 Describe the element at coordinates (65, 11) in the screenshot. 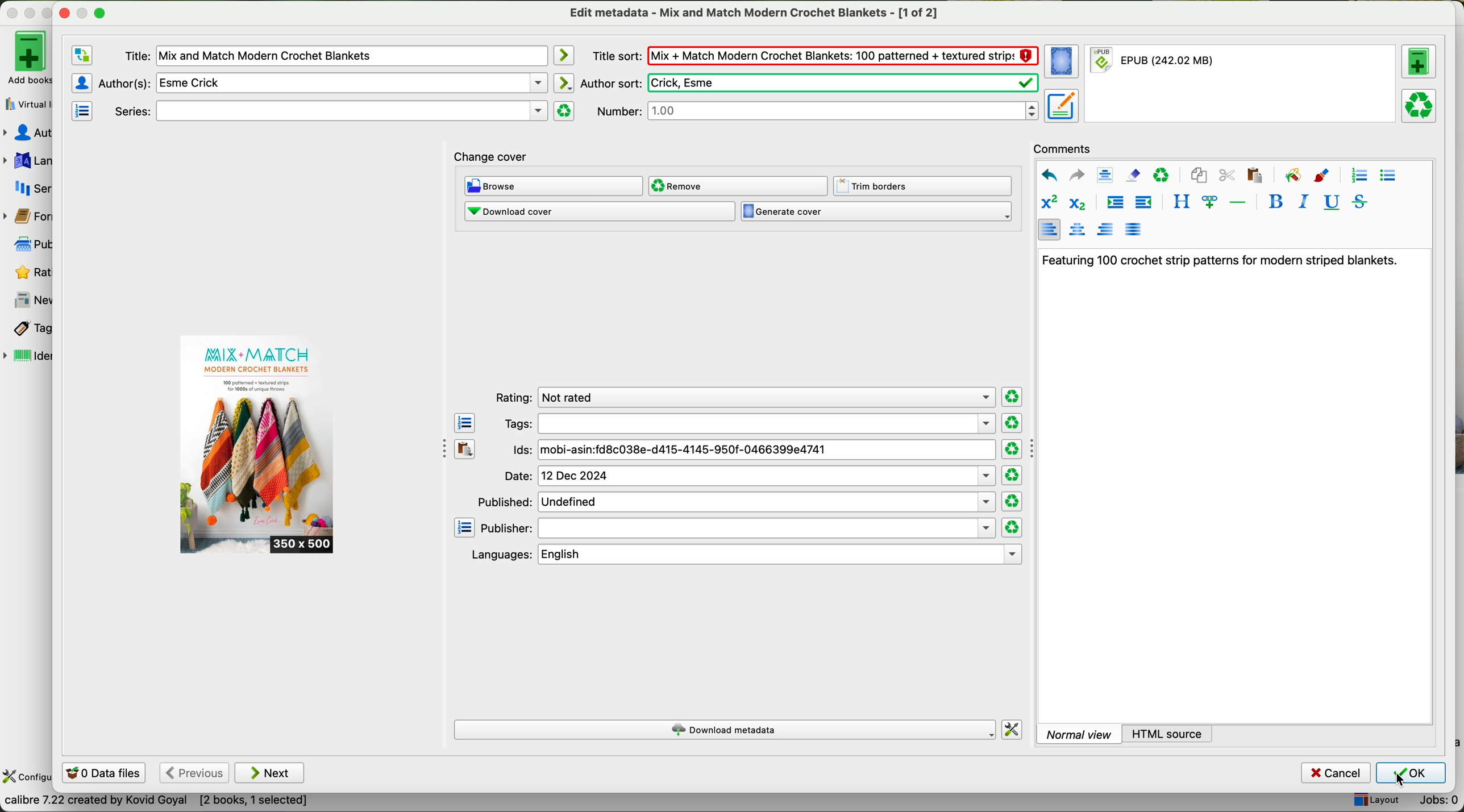

I see `close window` at that location.